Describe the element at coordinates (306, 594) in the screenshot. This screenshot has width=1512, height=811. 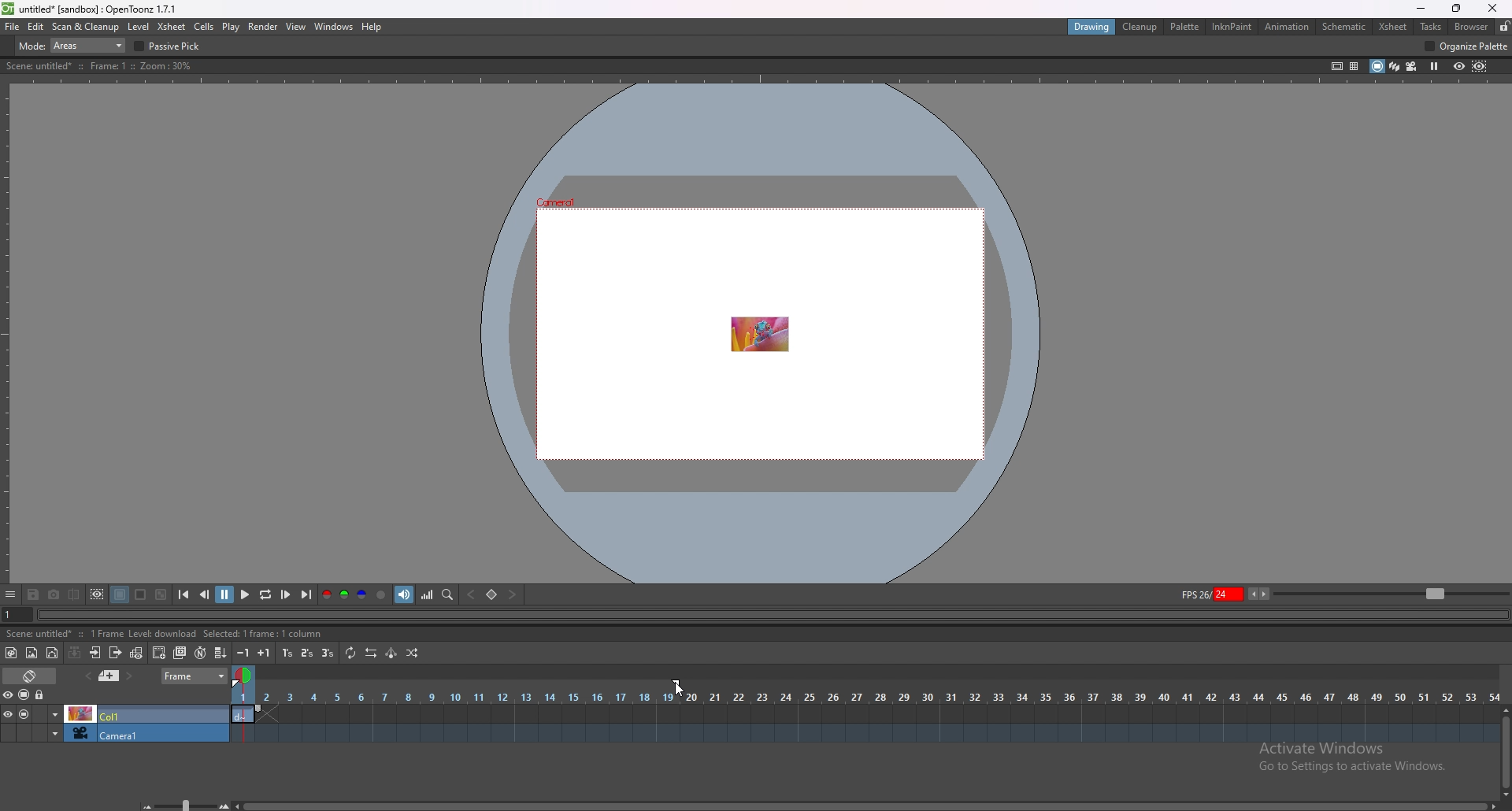
I see `last frame` at that location.